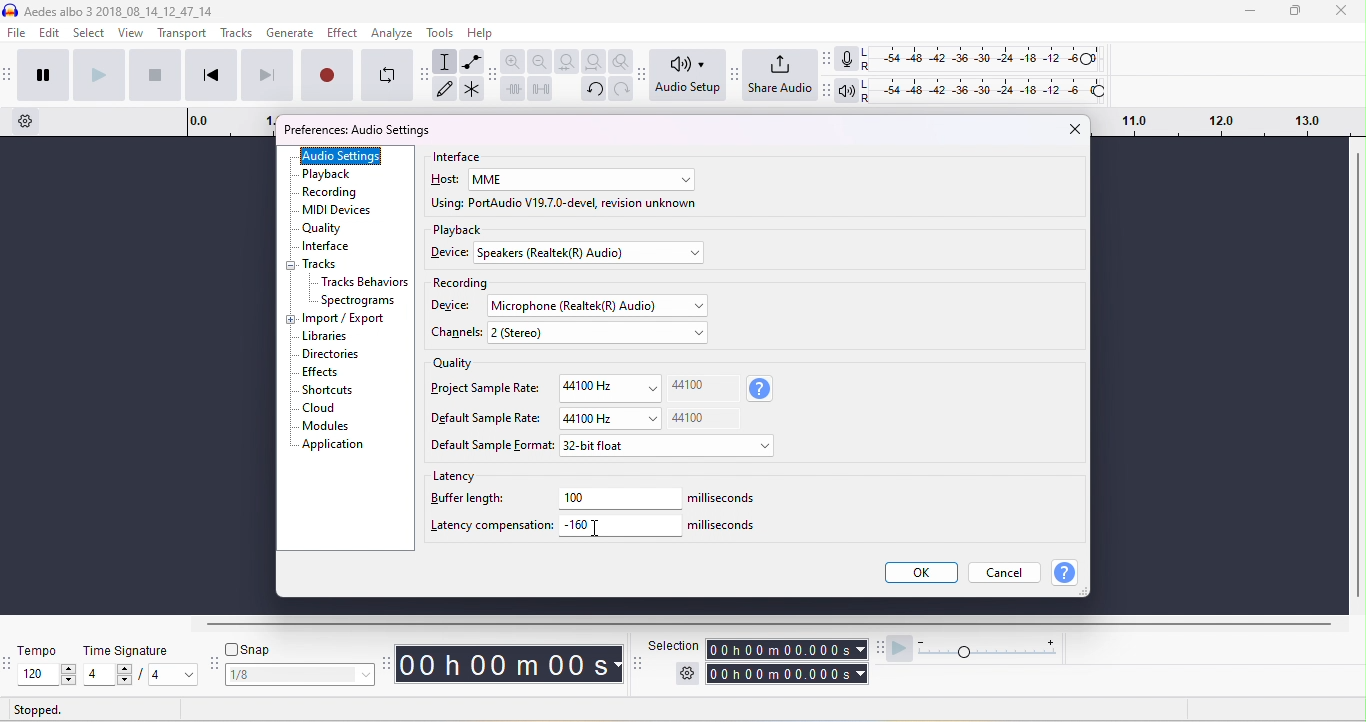 This screenshot has width=1366, height=722. I want to click on Audacity share audio toolbar, so click(736, 75).